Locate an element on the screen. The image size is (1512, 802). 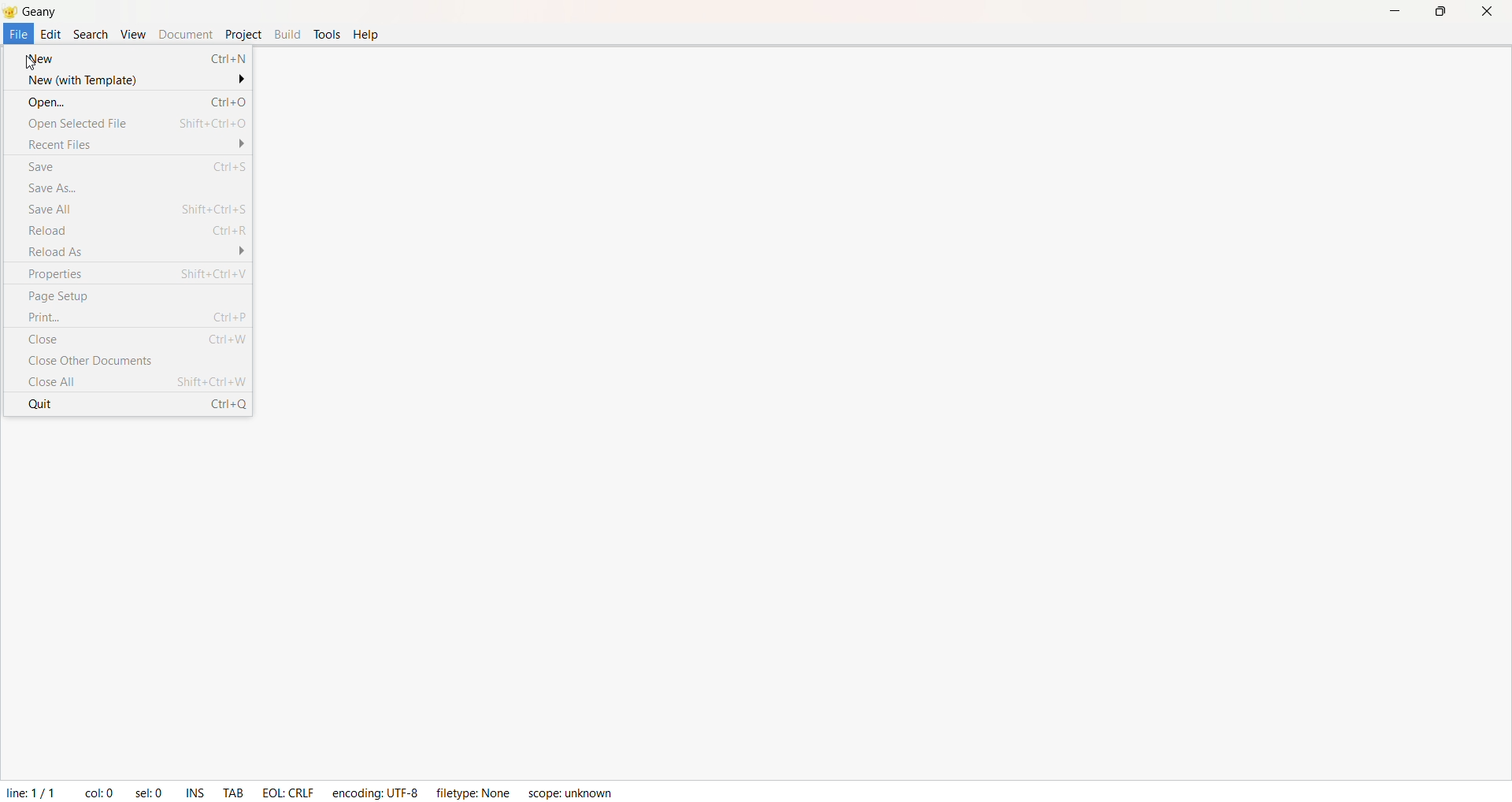
Save As is located at coordinates (129, 188).